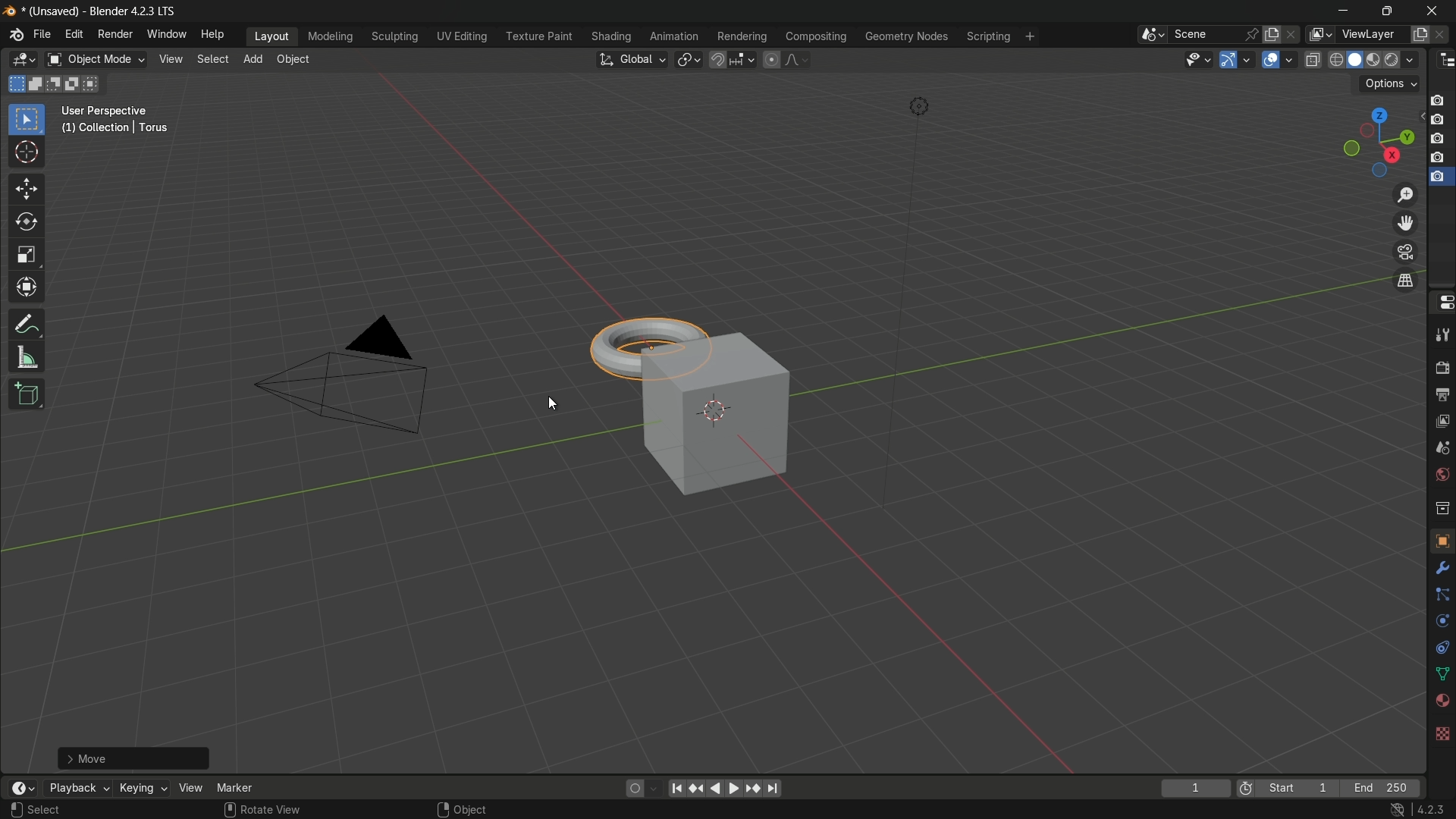 This screenshot has width=1456, height=819. I want to click on transform pivot table, so click(688, 58).